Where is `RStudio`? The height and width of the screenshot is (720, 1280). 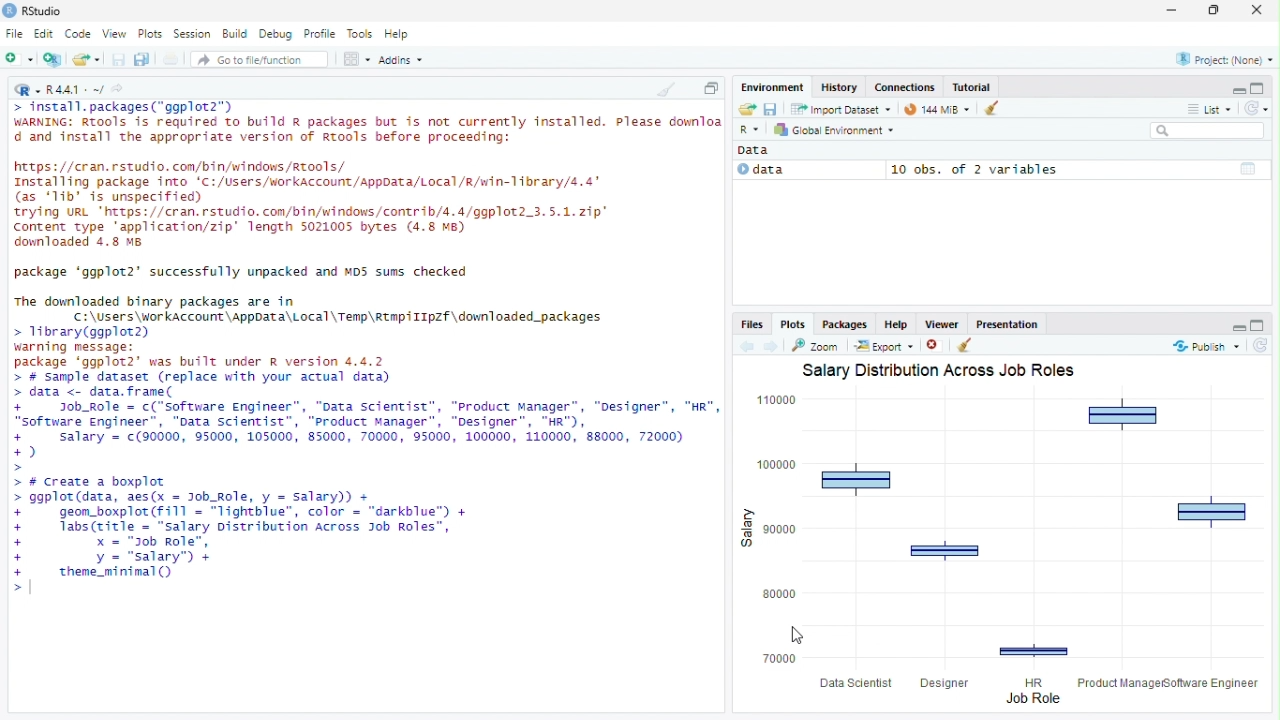
RStudio is located at coordinates (46, 11).